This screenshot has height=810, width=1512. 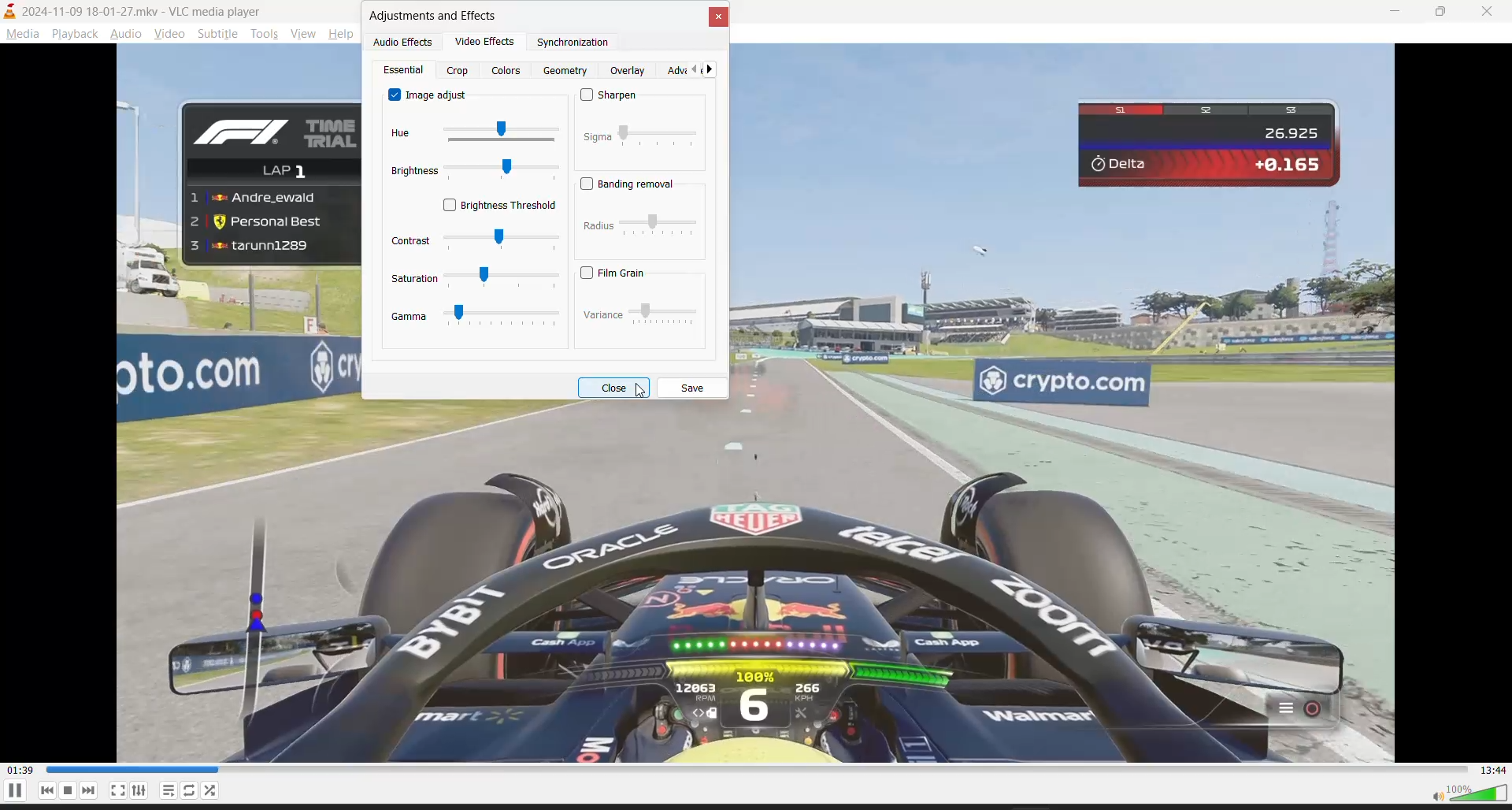 What do you see at coordinates (302, 35) in the screenshot?
I see `view` at bounding box center [302, 35].